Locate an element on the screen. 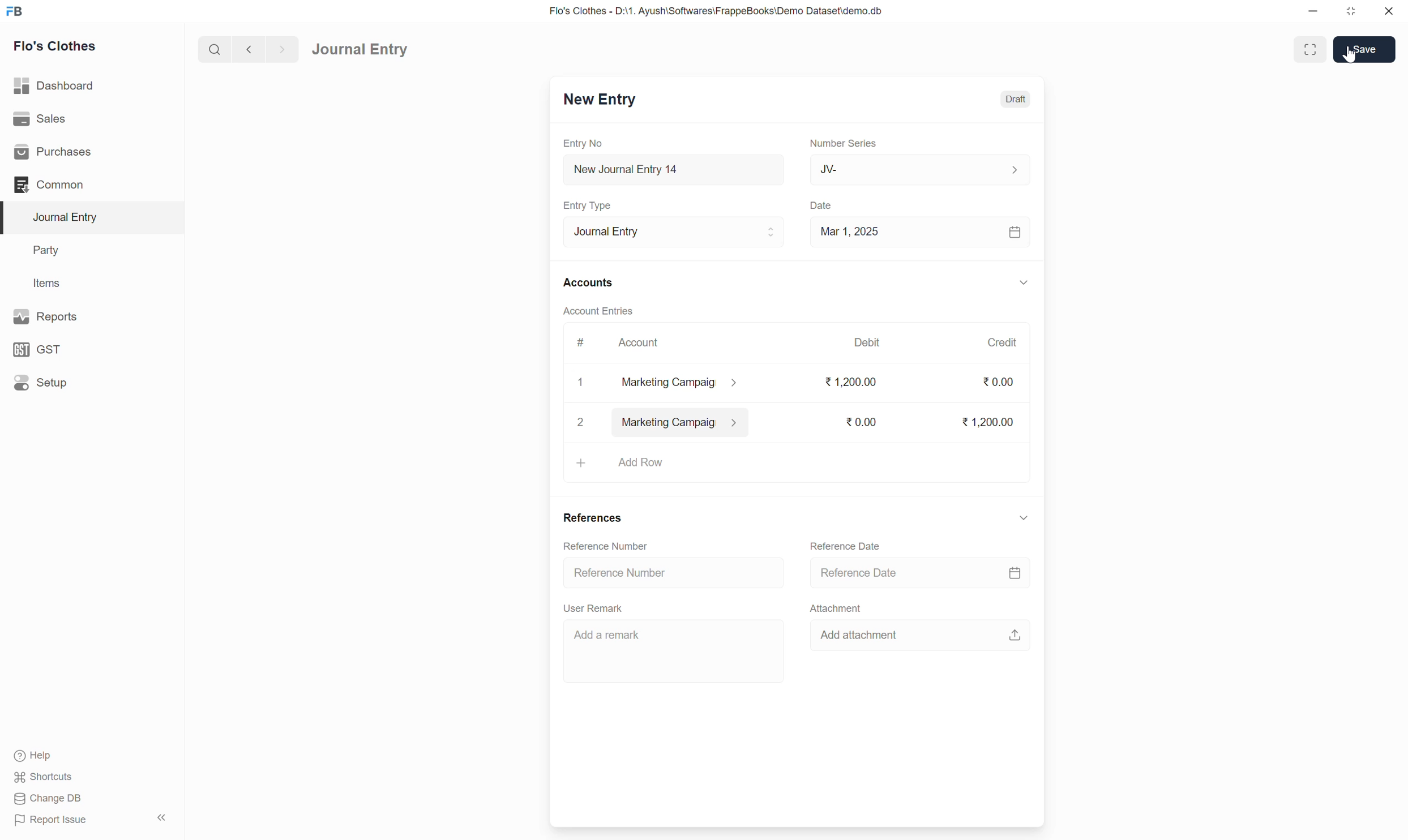  Common is located at coordinates (50, 185).